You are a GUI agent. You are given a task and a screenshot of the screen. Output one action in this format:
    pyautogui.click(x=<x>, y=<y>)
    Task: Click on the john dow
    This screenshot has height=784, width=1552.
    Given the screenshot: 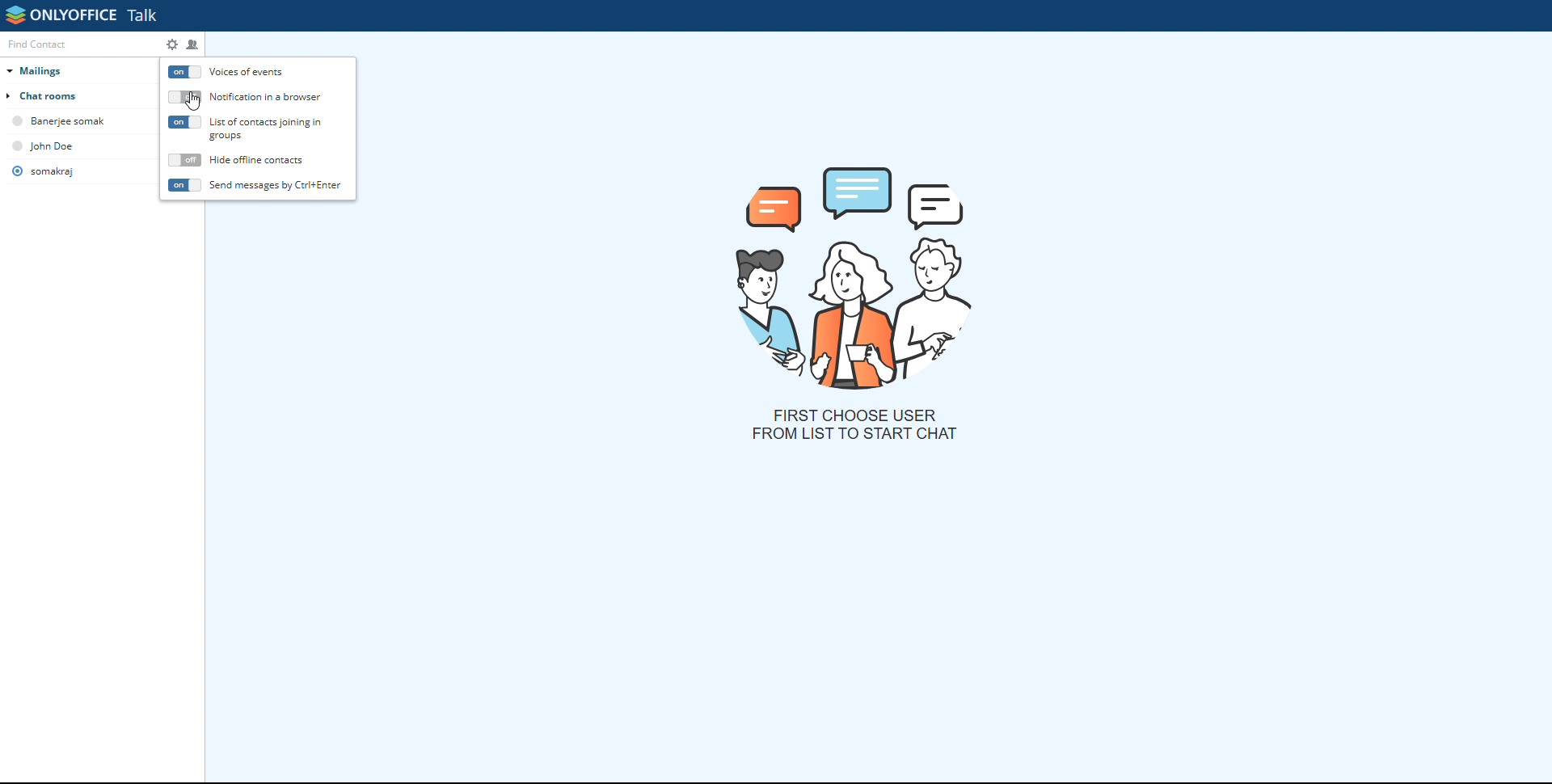 What is the action you would take?
    pyautogui.click(x=54, y=145)
    